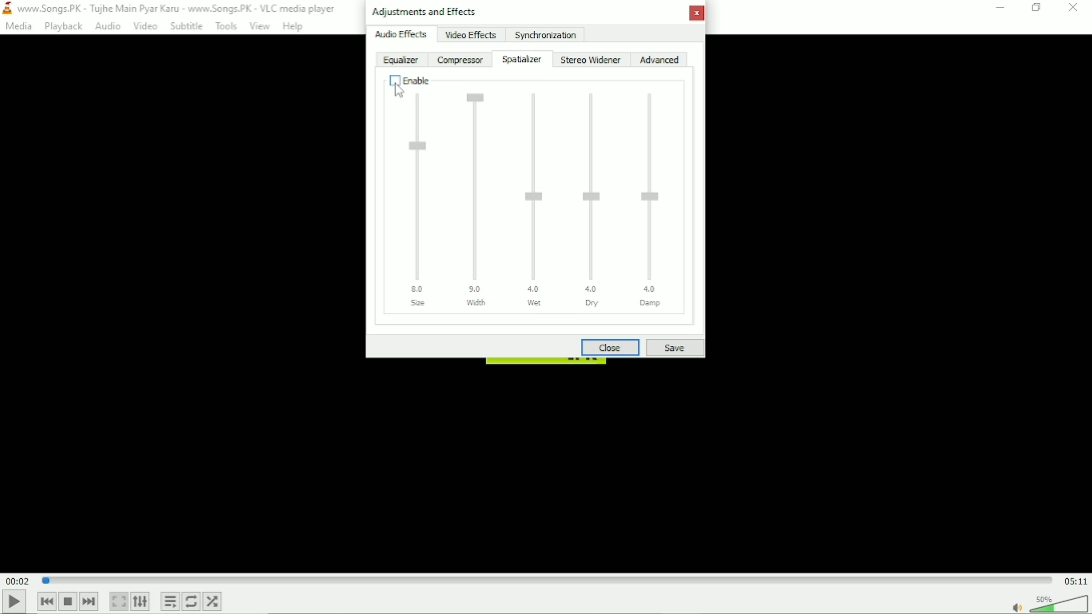 Image resolution: width=1092 pixels, height=614 pixels. Describe the element at coordinates (69, 601) in the screenshot. I see `Stop playback` at that location.